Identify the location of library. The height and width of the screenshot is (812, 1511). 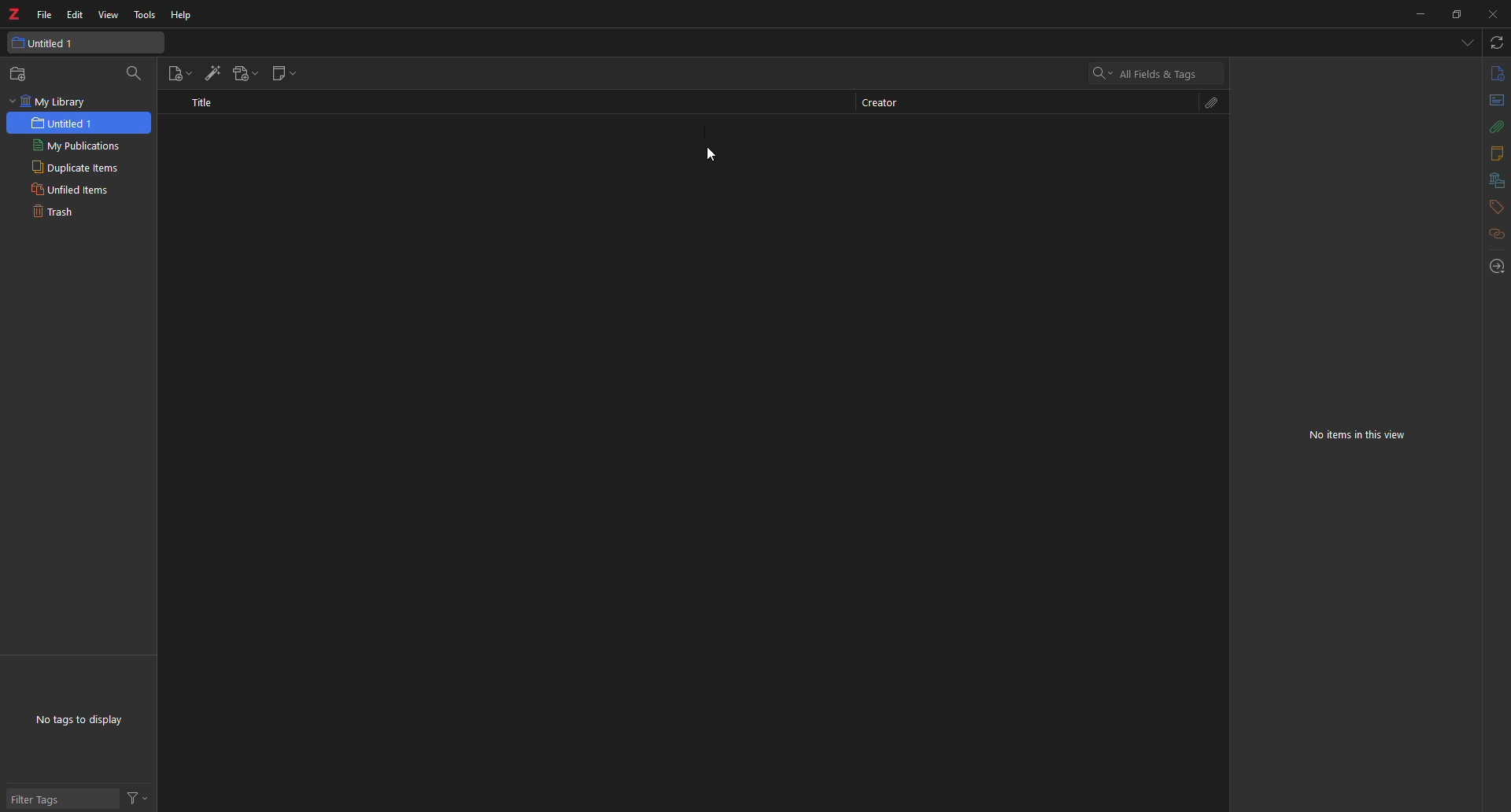
(1494, 180).